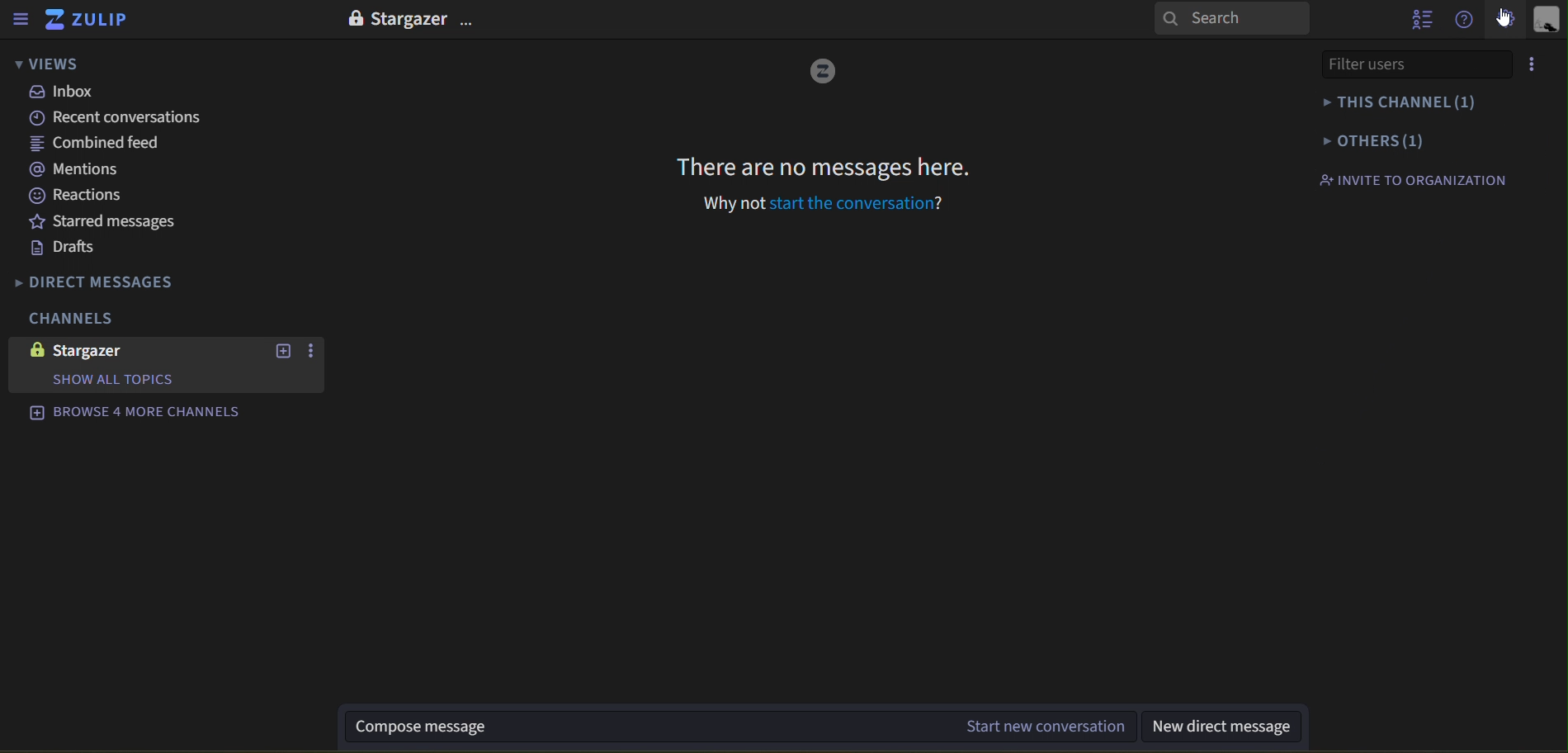  I want to click on new direct message, so click(1232, 727).